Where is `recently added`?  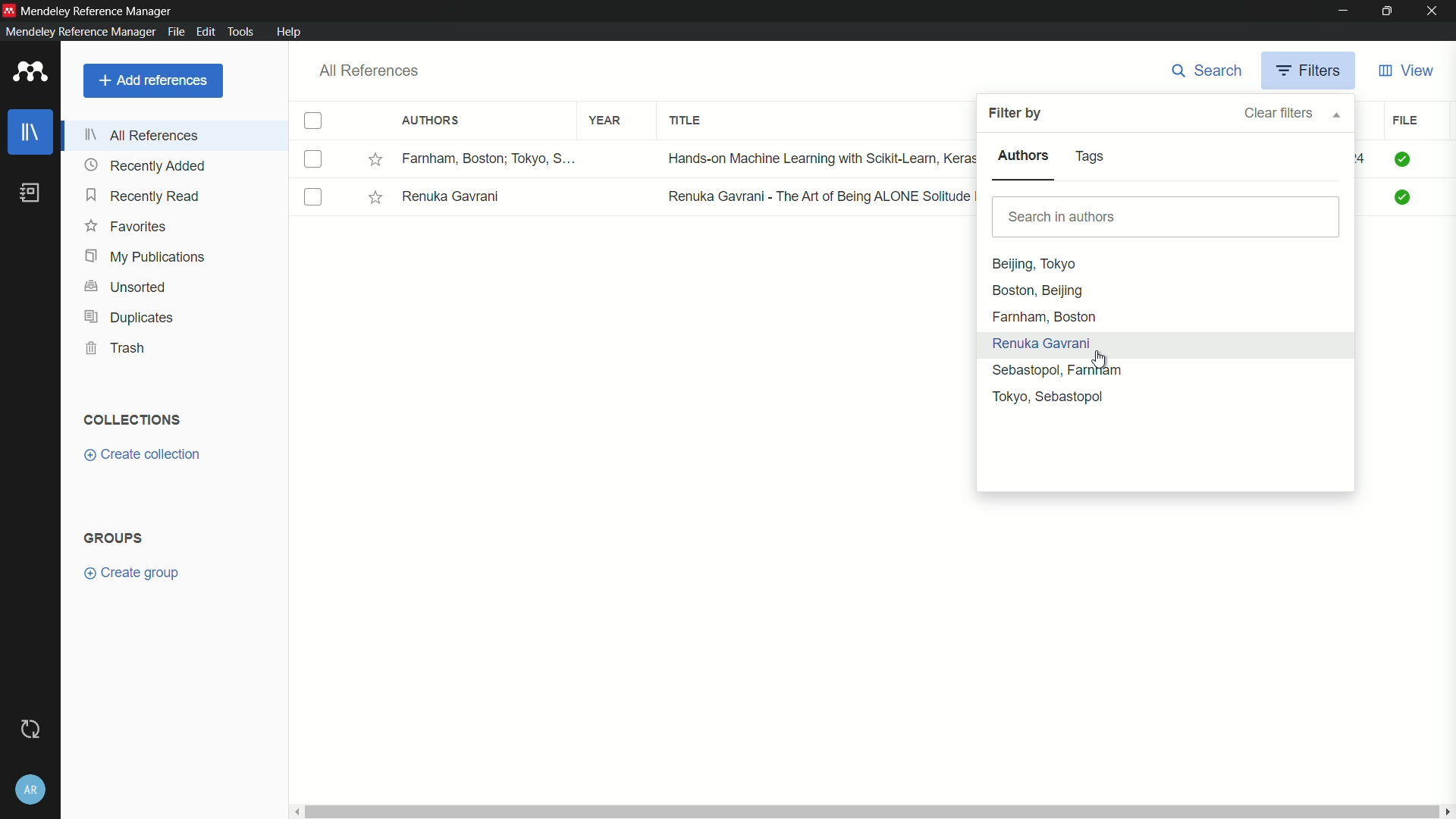 recently added is located at coordinates (145, 165).